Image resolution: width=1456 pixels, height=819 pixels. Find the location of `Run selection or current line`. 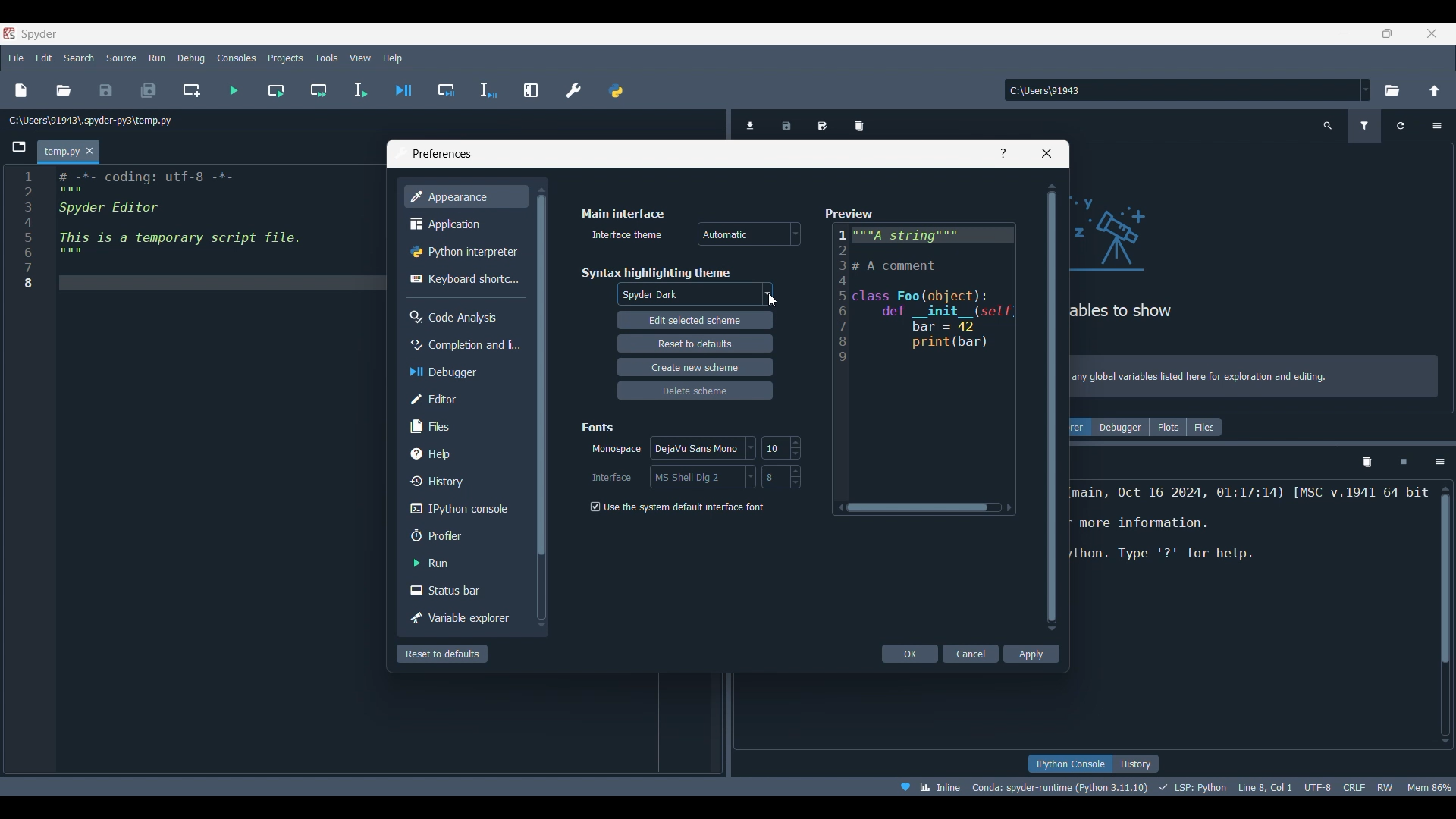

Run selection or current line is located at coordinates (359, 90).